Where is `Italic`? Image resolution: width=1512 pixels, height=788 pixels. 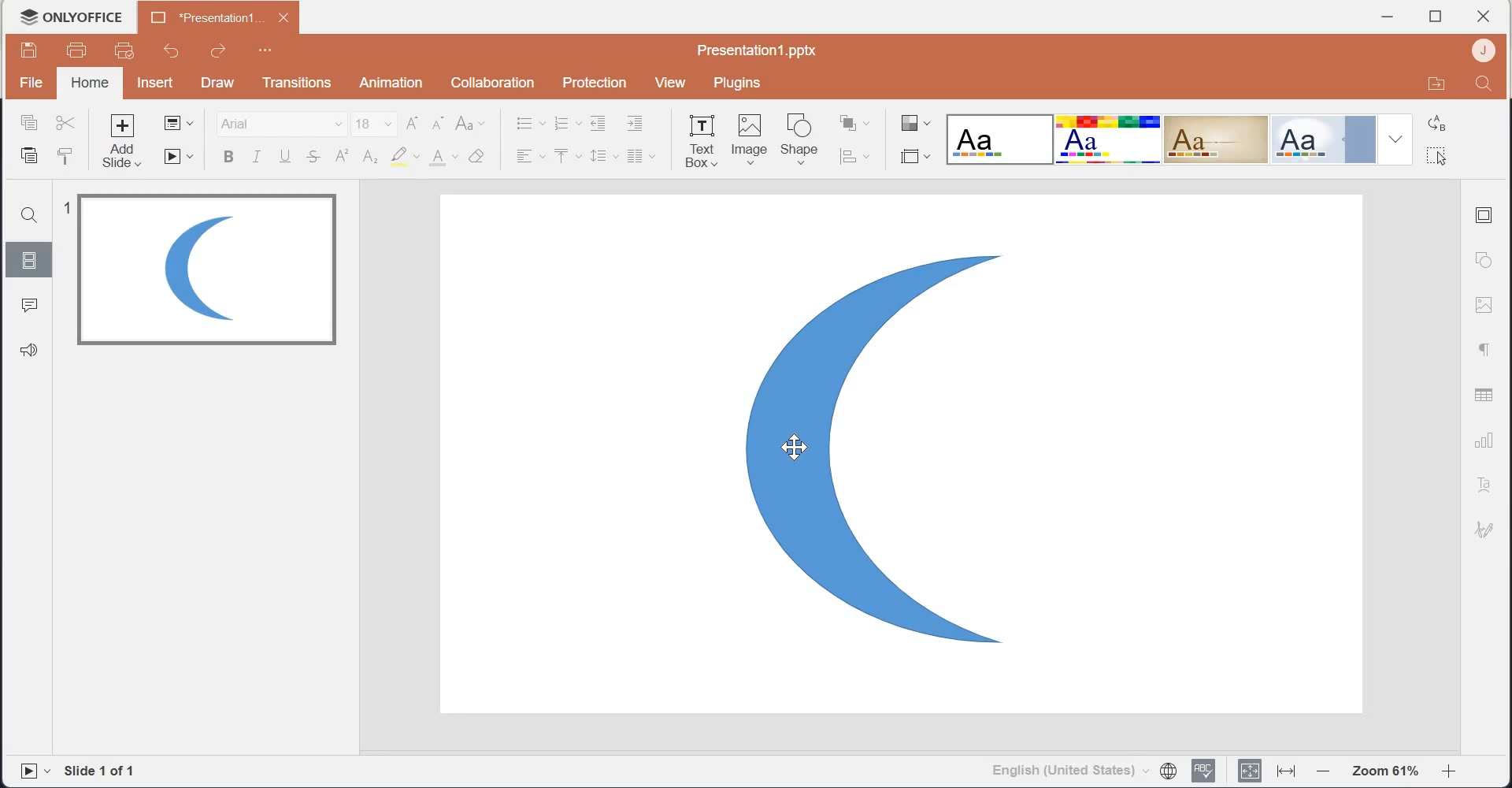 Italic is located at coordinates (258, 157).